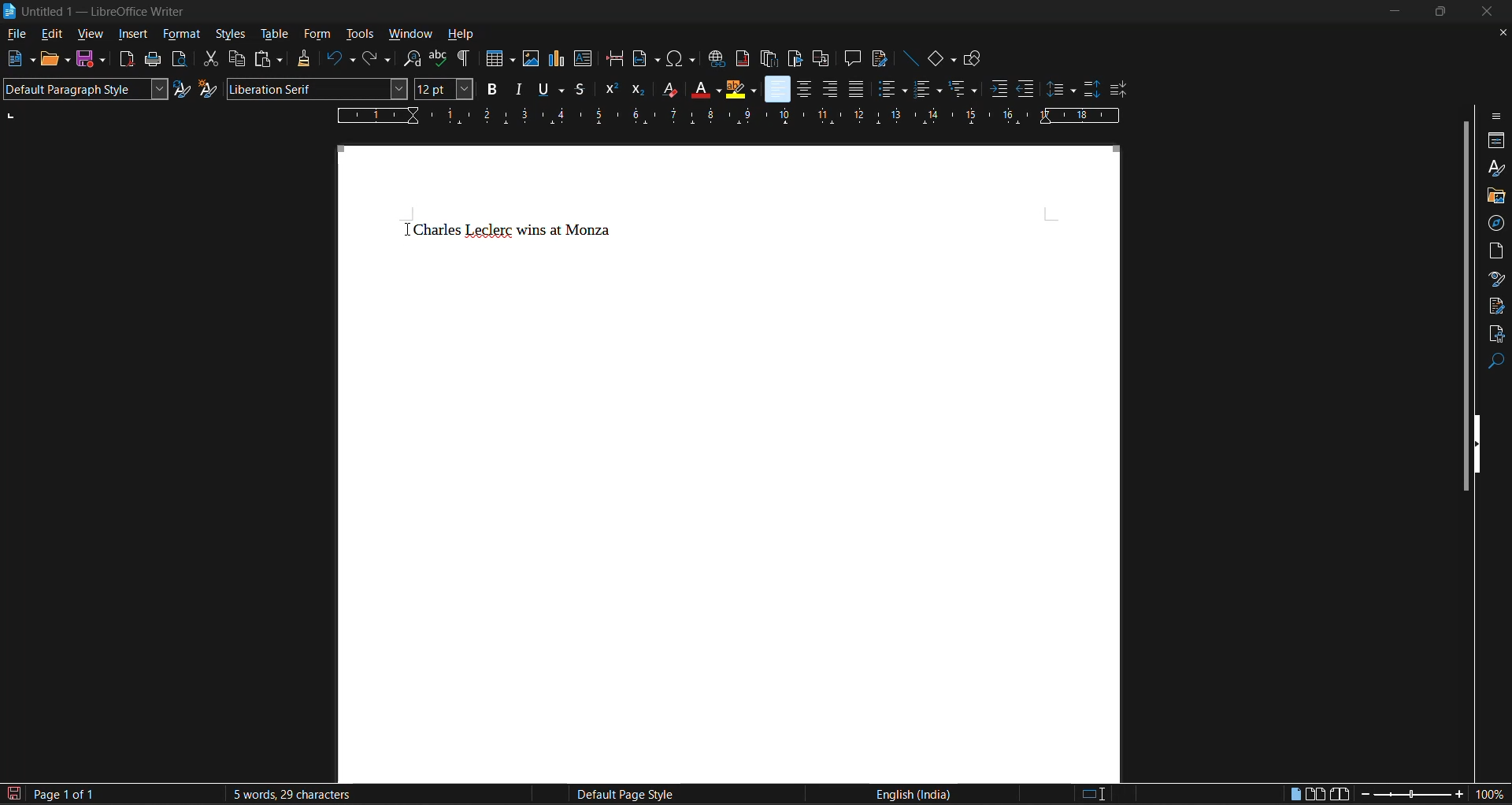 The image size is (1512, 805). Describe the element at coordinates (20, 59) in the screenshot. I see `new` at that location.